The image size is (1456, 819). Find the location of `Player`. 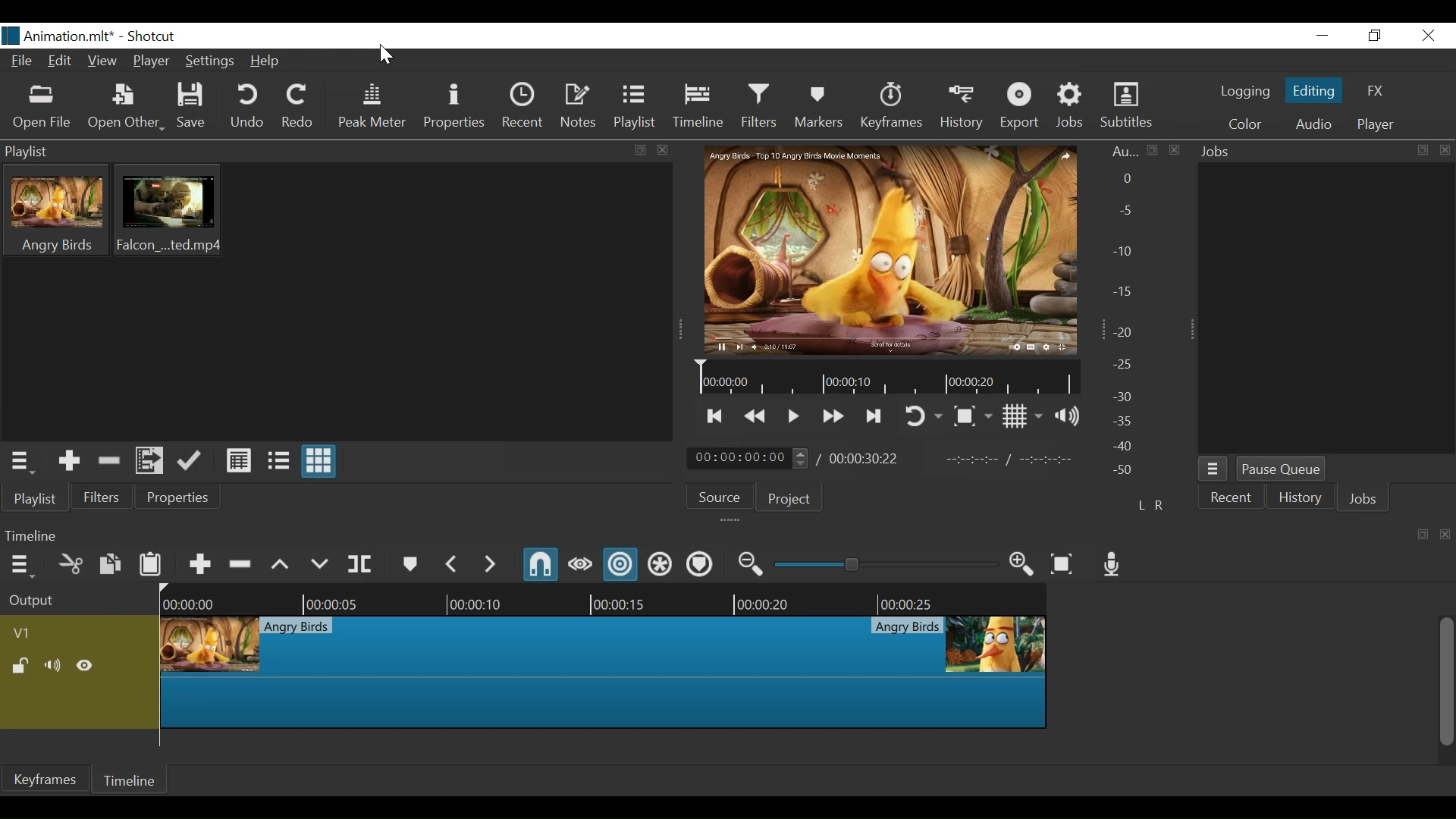

Player is located at coordinates (149, 60).